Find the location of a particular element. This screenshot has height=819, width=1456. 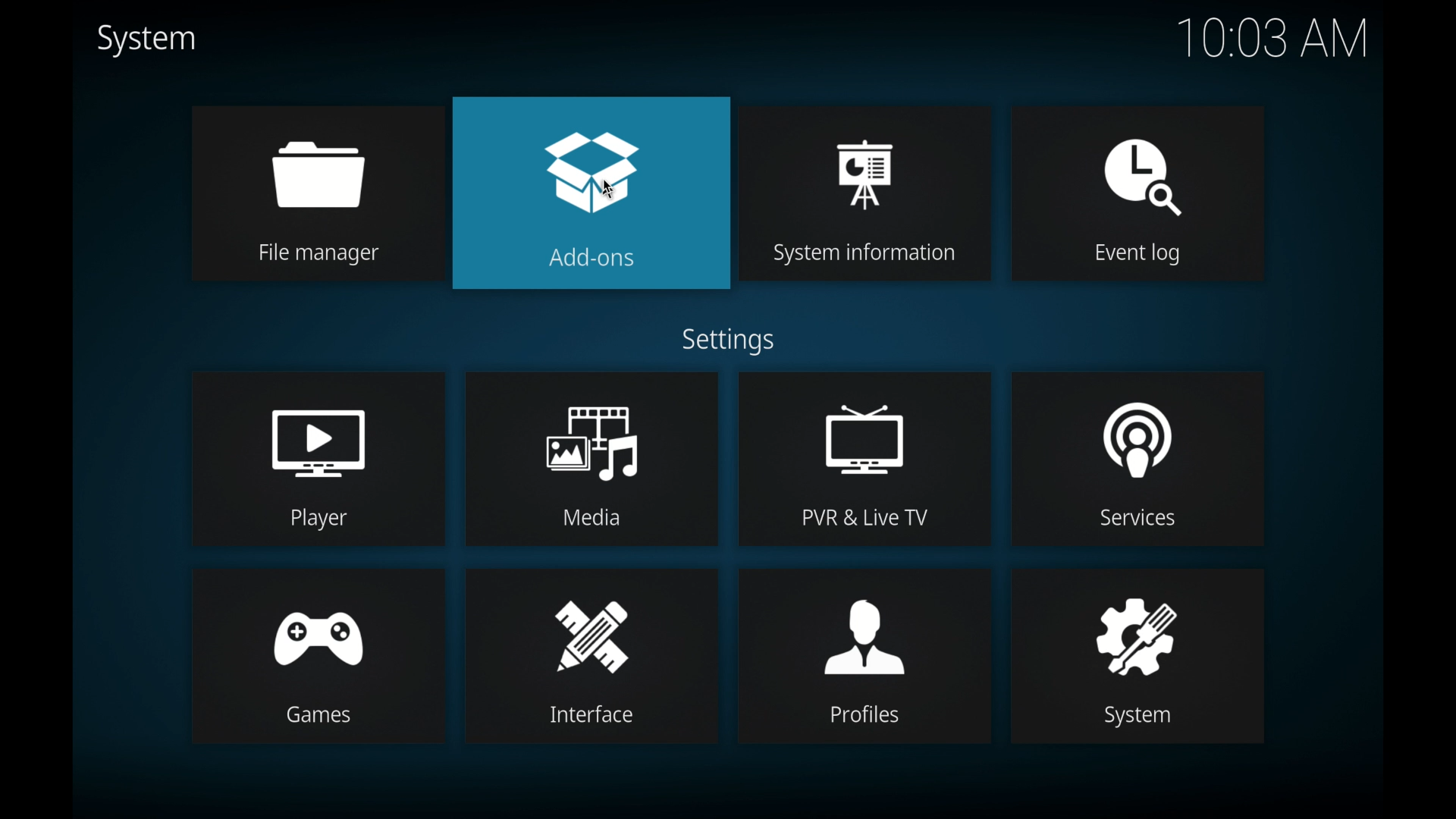

file manager is located at coordinates (315, 192).